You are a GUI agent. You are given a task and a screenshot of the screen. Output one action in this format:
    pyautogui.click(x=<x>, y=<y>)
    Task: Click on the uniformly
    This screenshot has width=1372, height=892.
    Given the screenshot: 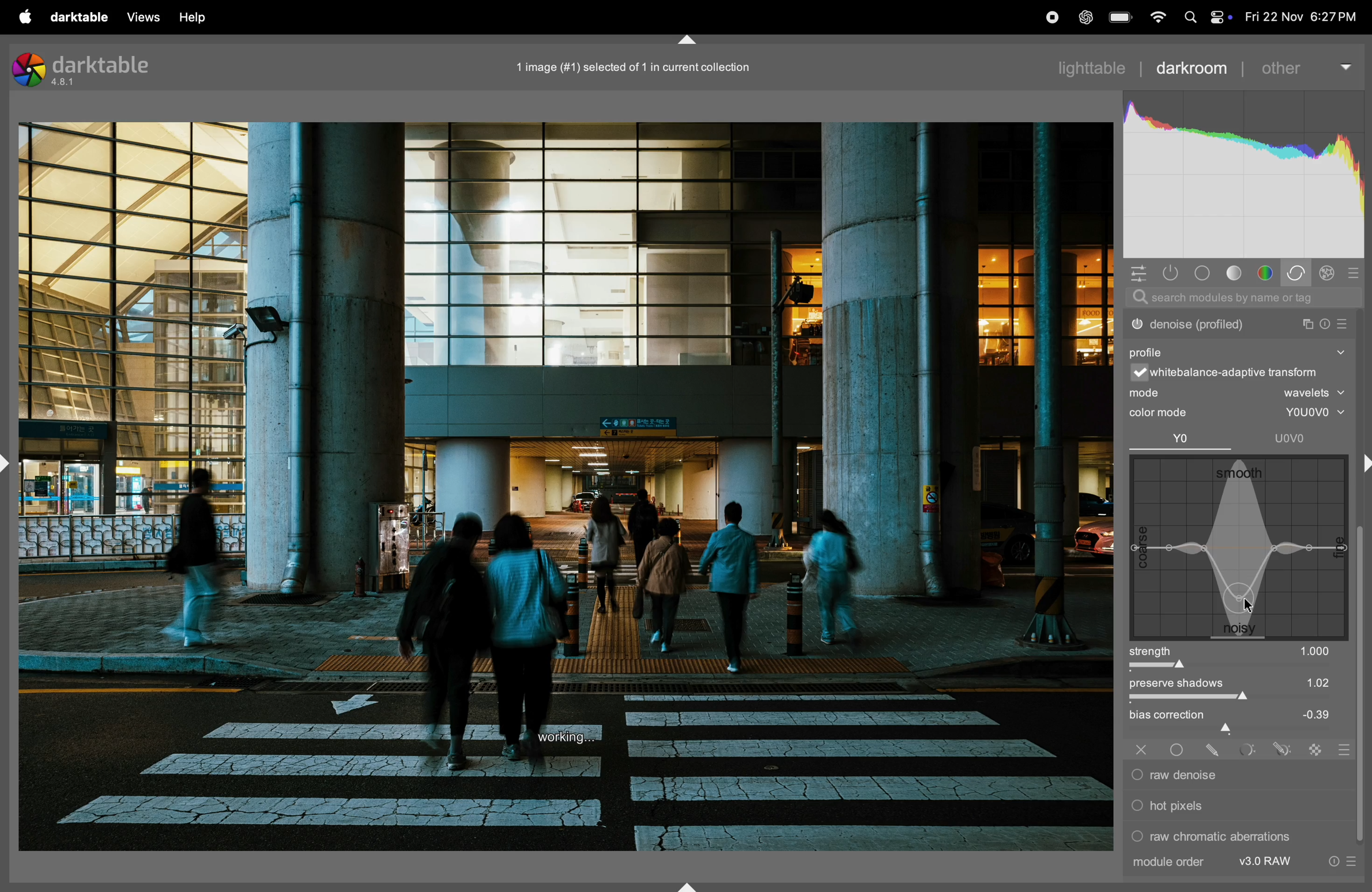 What is the action you would take?
    pyautogui.click(x=1179, y=750)
    